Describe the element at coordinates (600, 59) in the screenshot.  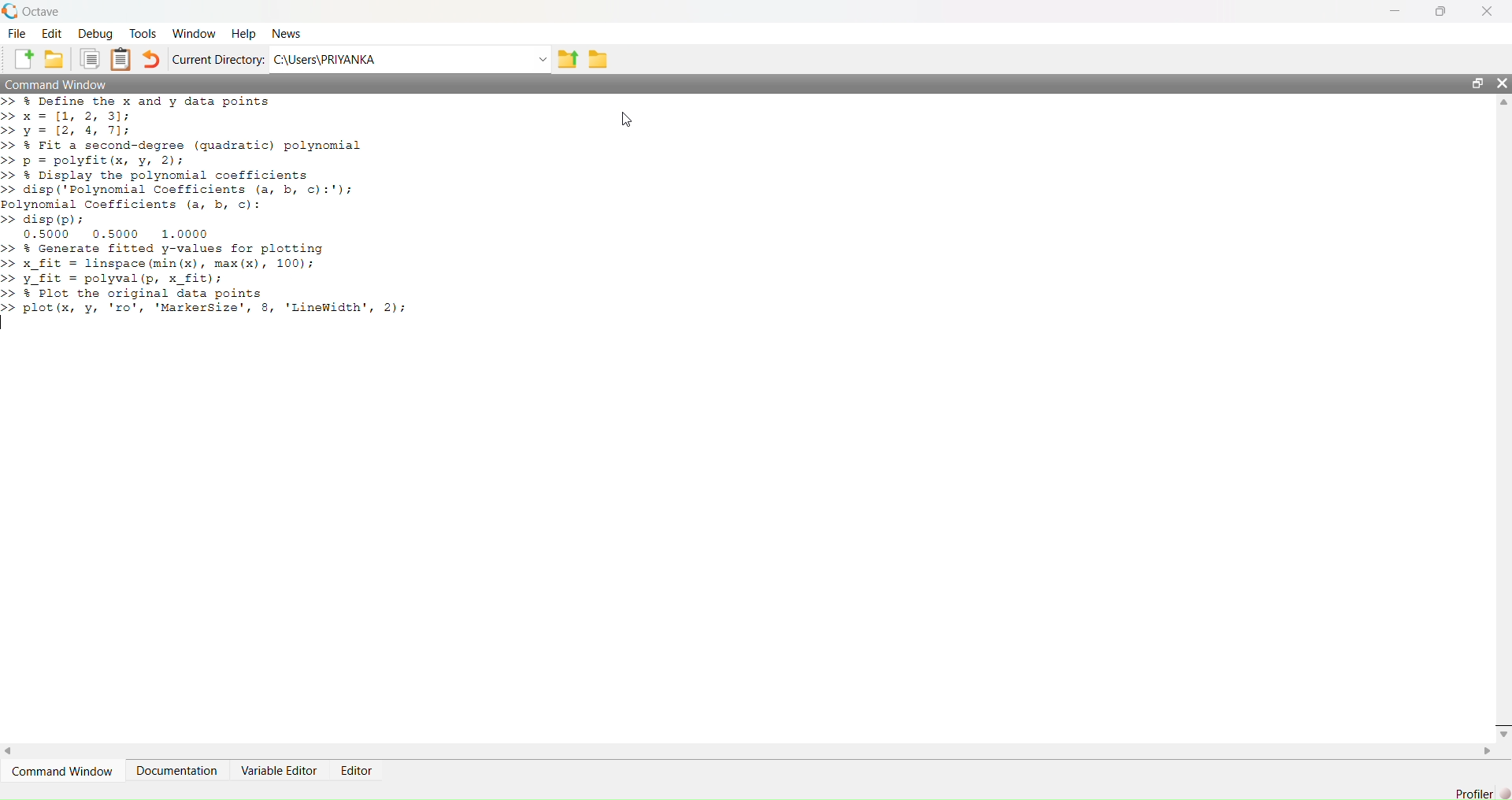
I see `Browse directories` at that location.